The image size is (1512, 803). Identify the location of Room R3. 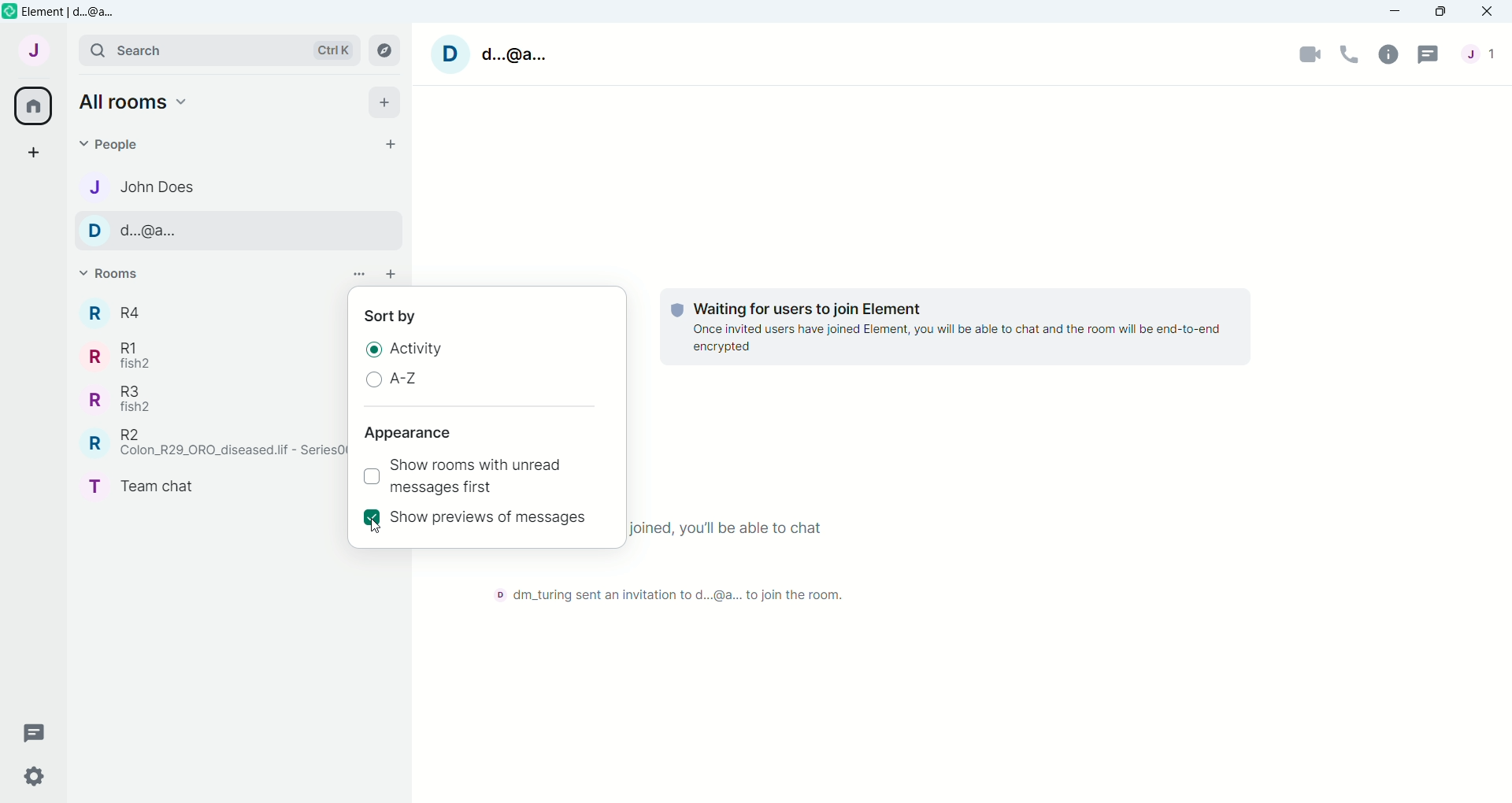
(120, 398).